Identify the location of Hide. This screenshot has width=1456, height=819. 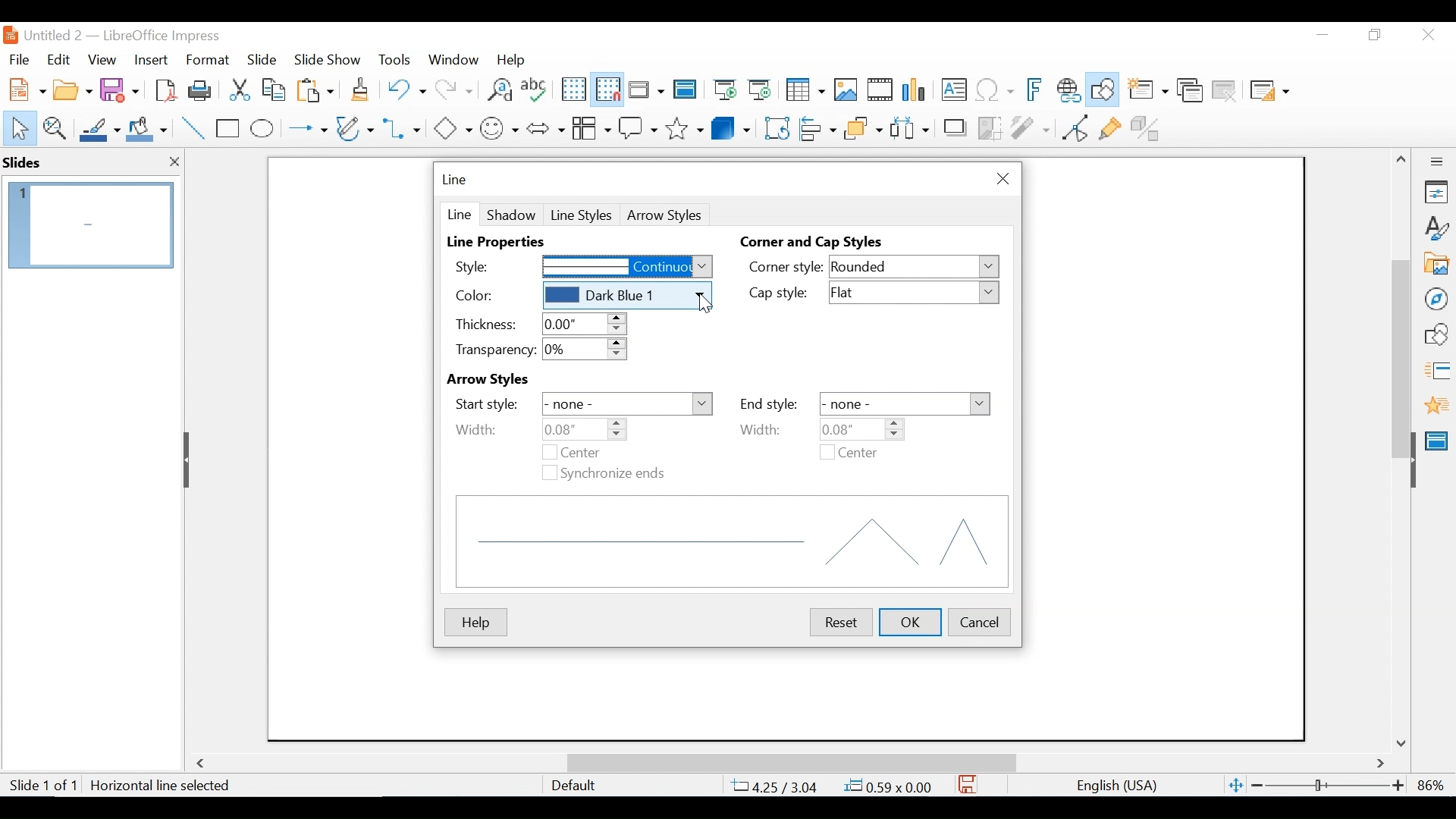
(1412, 457).